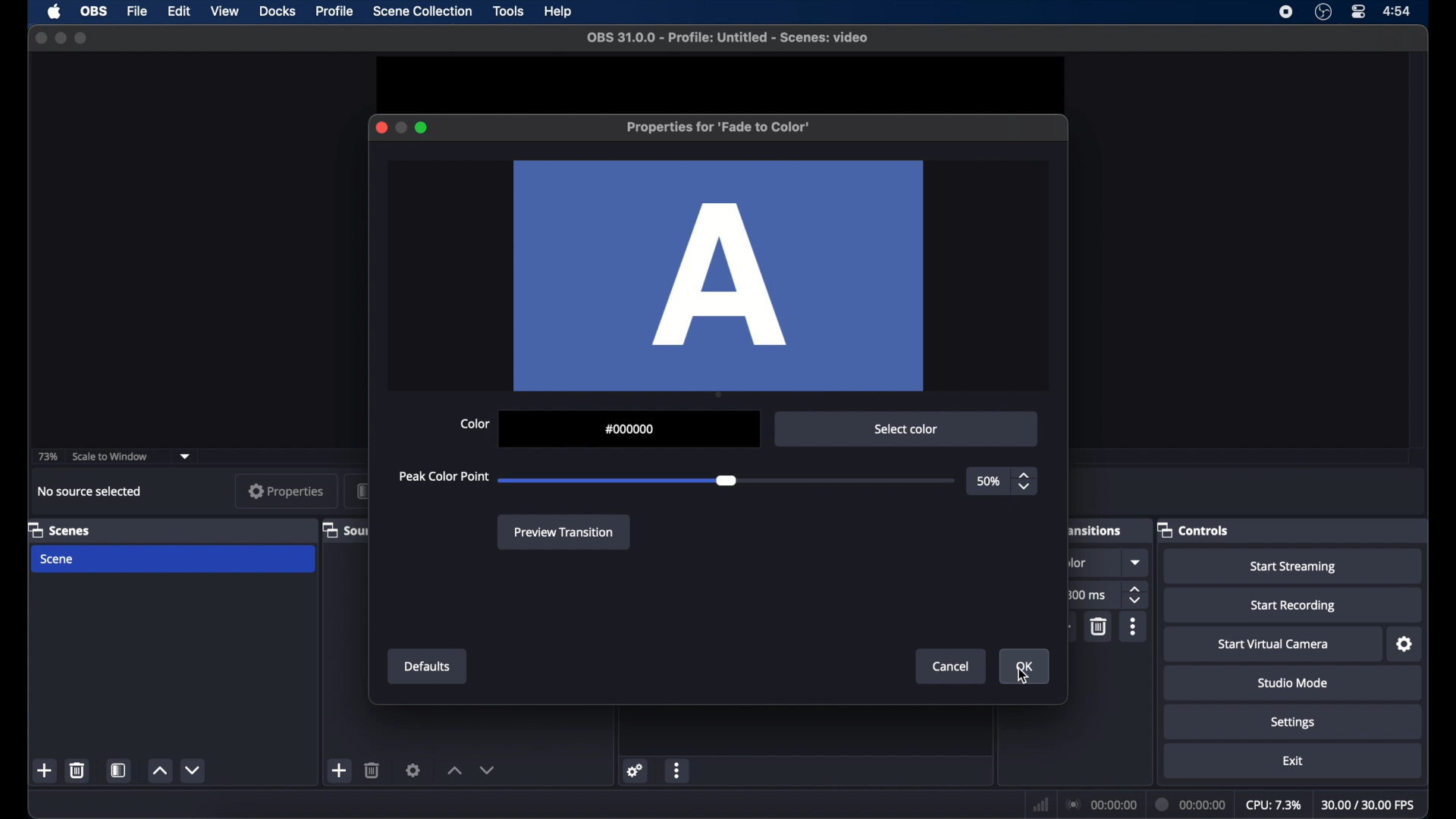 This screenshot has width=1456, height=819. Describe the element at coordinates (1273, 645) in the screenshot. I see `startvirtual camera` at that location.